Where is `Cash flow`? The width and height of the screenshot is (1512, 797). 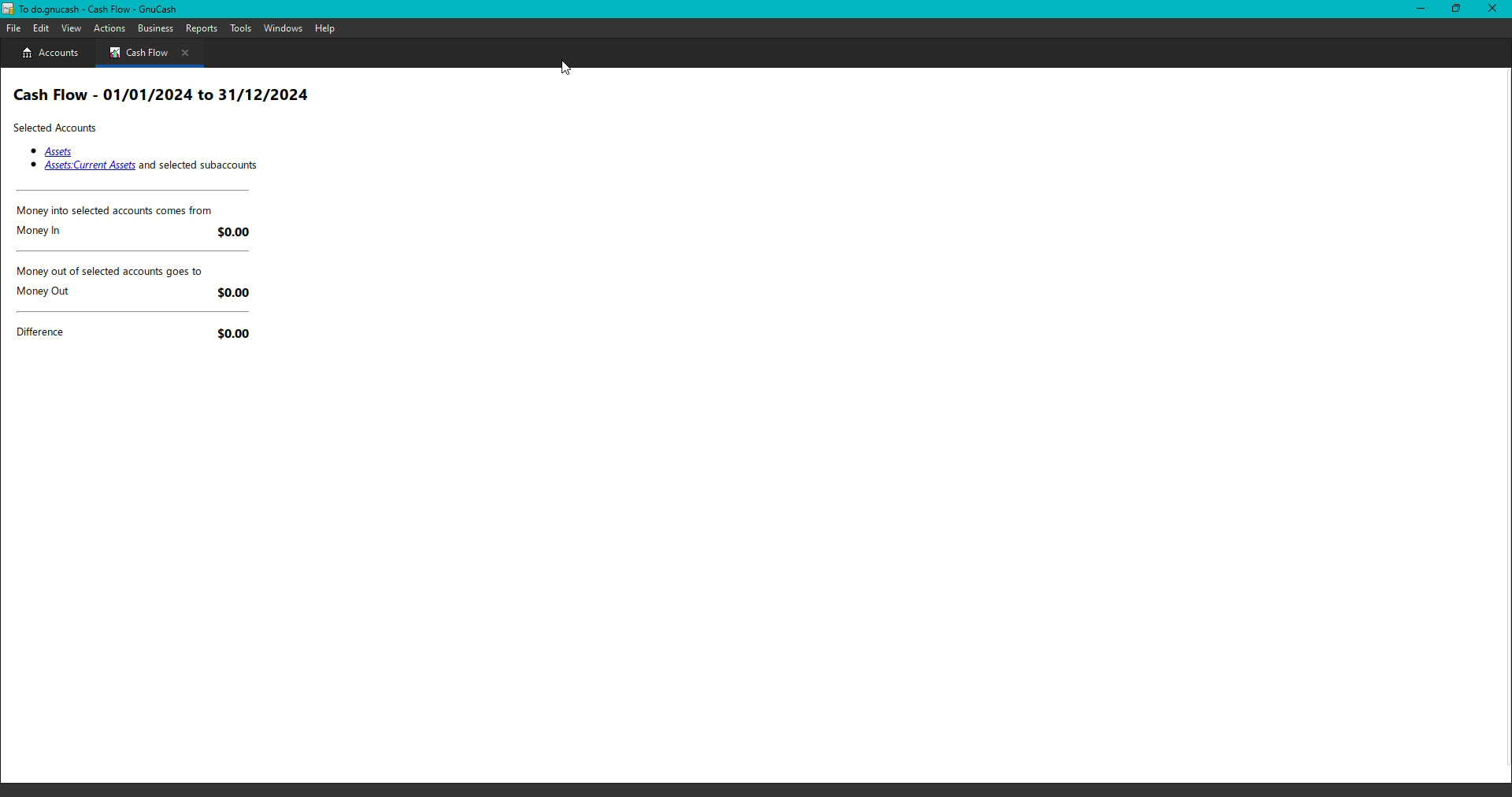 Cash flow is located at coordinates (151, 54).